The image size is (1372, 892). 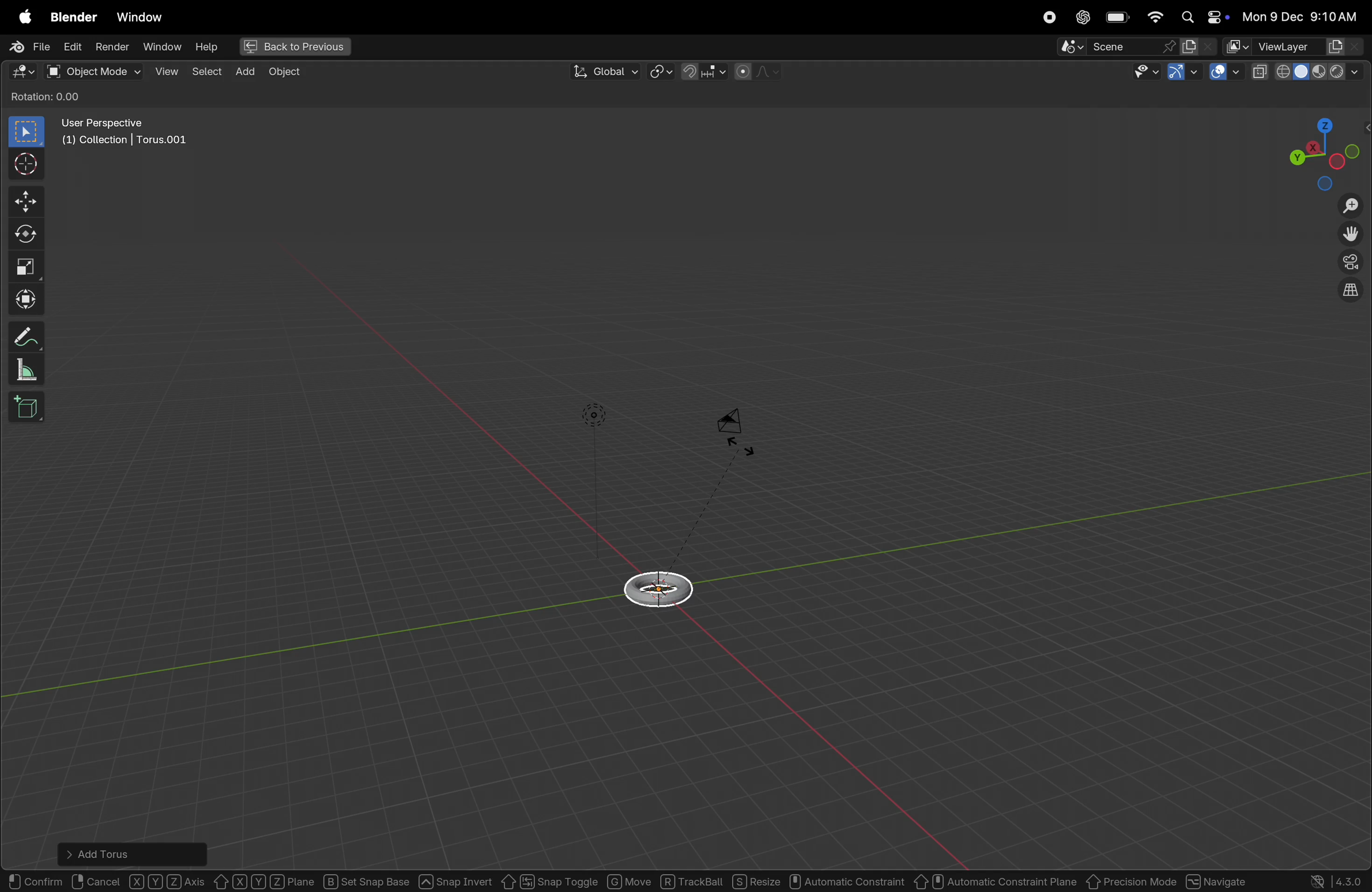 What do you see at coordinates (166, 71) in the screenshot?
I see `view` at bounding box center [166, 71].